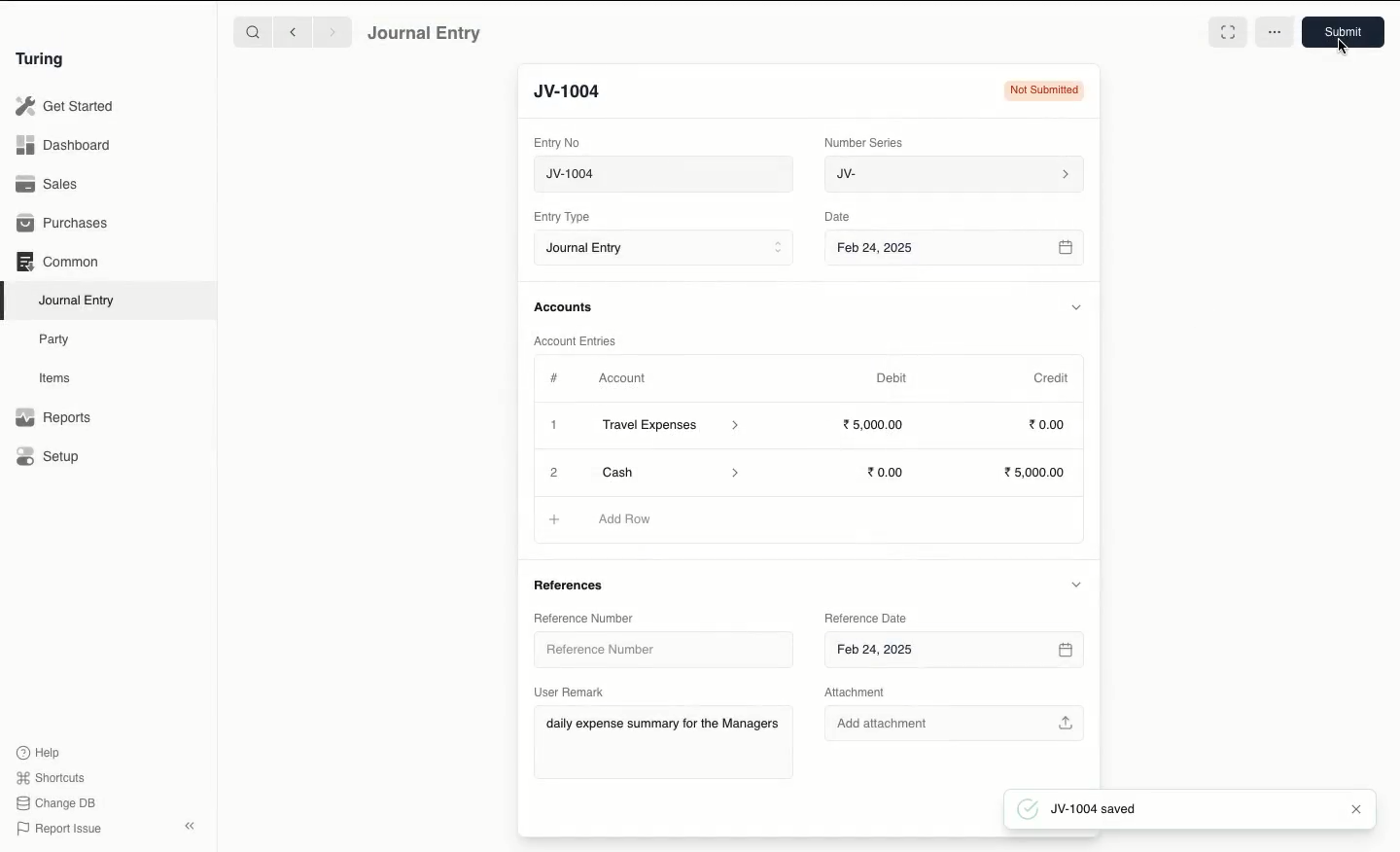 The width and height of the screenshot is (1400, 852). Describe the element at coordinates (49, 455) in the screenshot. I see `Setup` at that location.